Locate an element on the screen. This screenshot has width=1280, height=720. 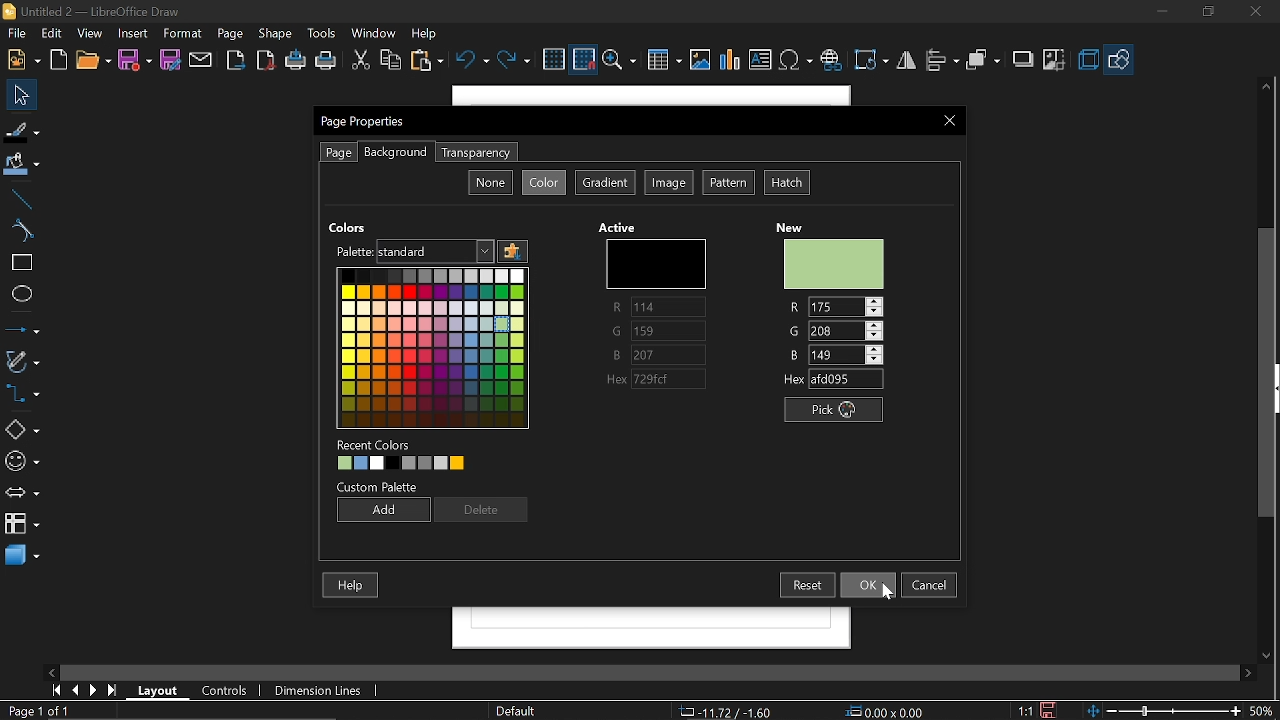
Add is located at coordinates (382, 509).